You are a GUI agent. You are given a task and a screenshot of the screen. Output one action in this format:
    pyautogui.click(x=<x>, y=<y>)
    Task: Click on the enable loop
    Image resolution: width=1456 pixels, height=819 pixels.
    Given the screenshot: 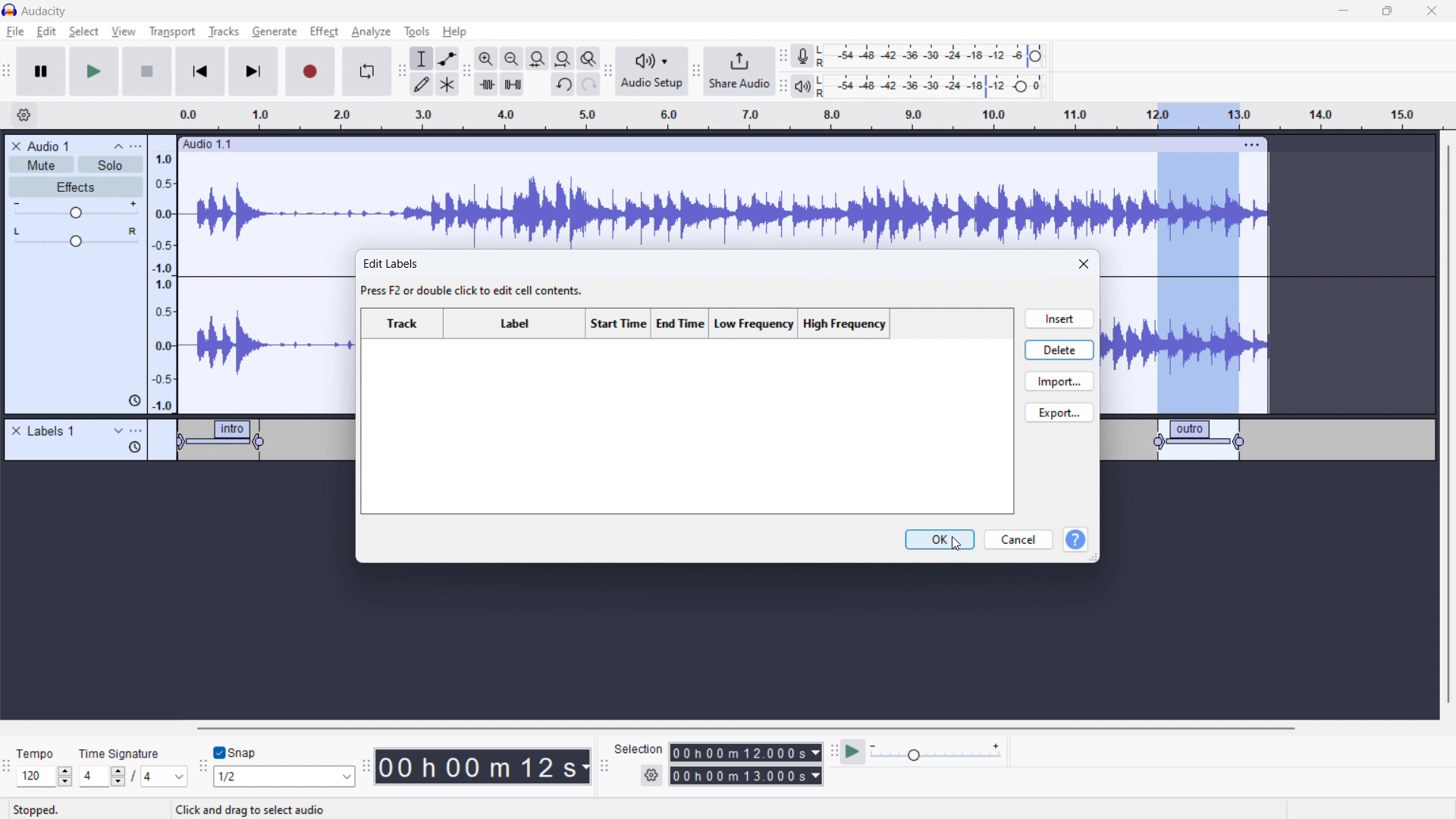 What is the action you would take?
    pyautogui.click(x=366, y=71)
    